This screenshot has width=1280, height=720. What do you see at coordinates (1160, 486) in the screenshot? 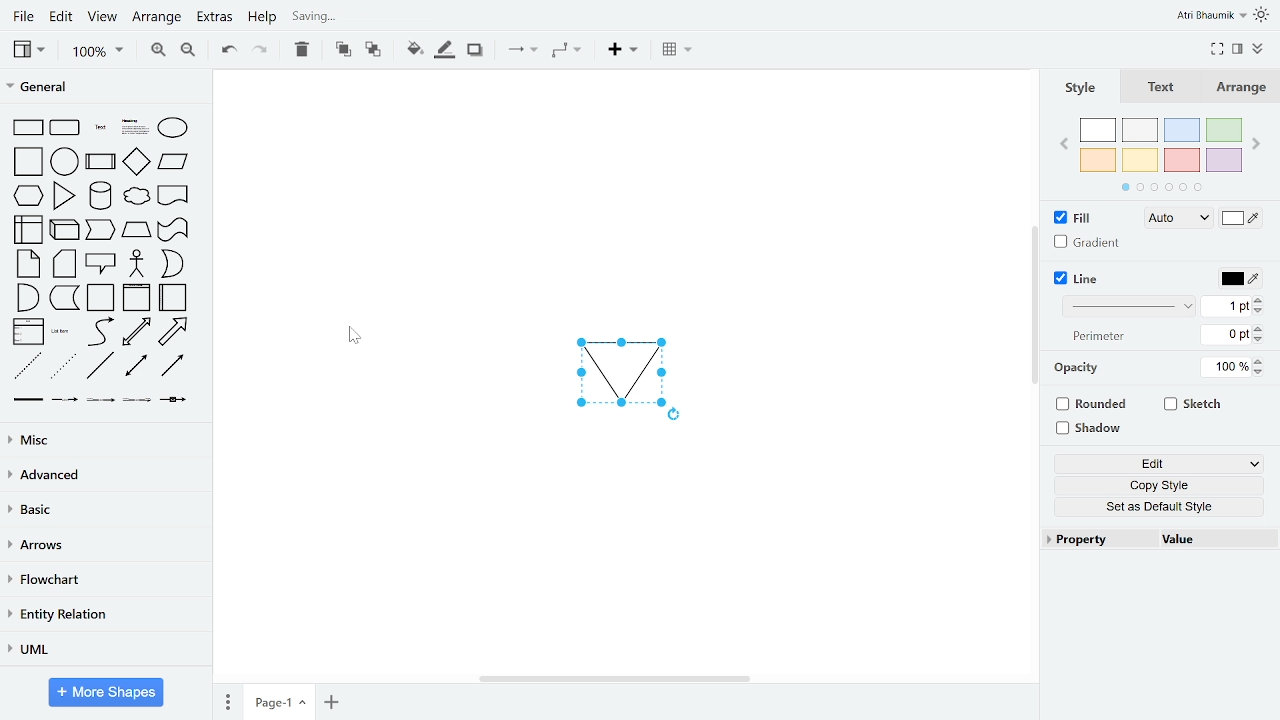
I see `copy style` at bounding box center [1160, 486].